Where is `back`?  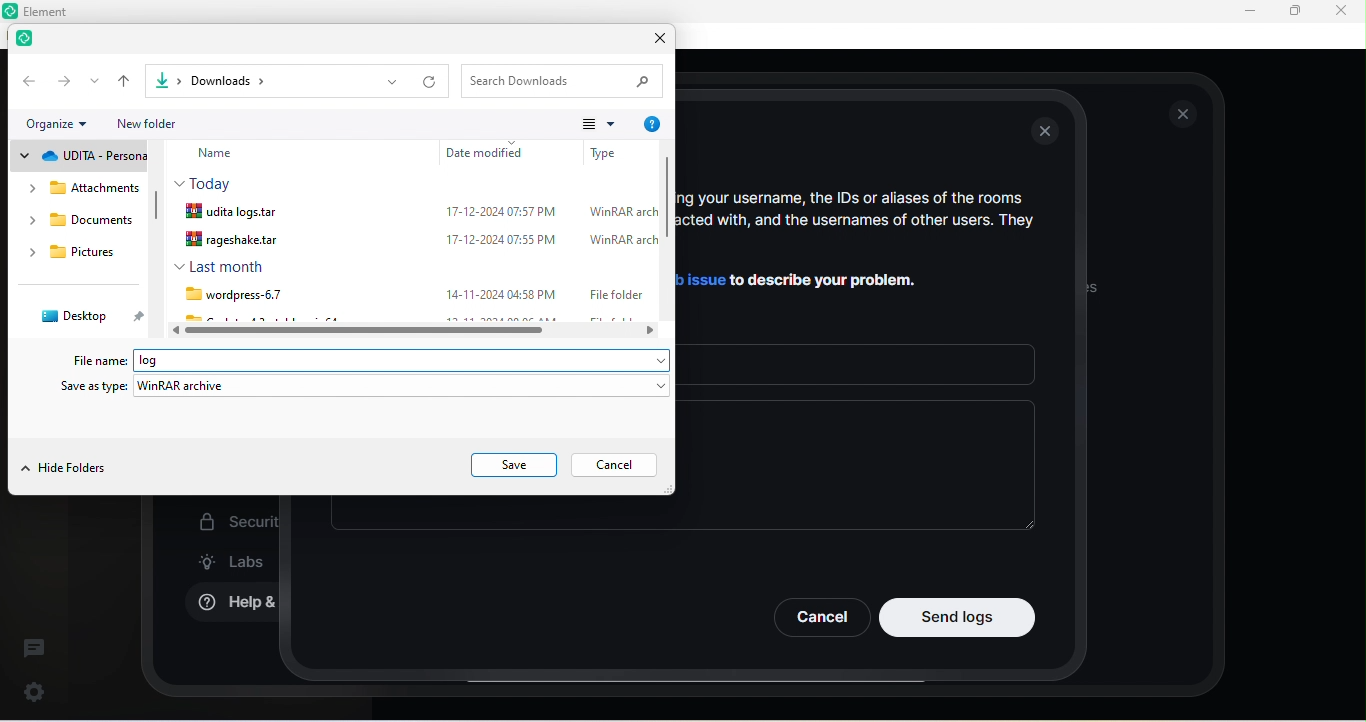
back is located at coordinates (27, 80).